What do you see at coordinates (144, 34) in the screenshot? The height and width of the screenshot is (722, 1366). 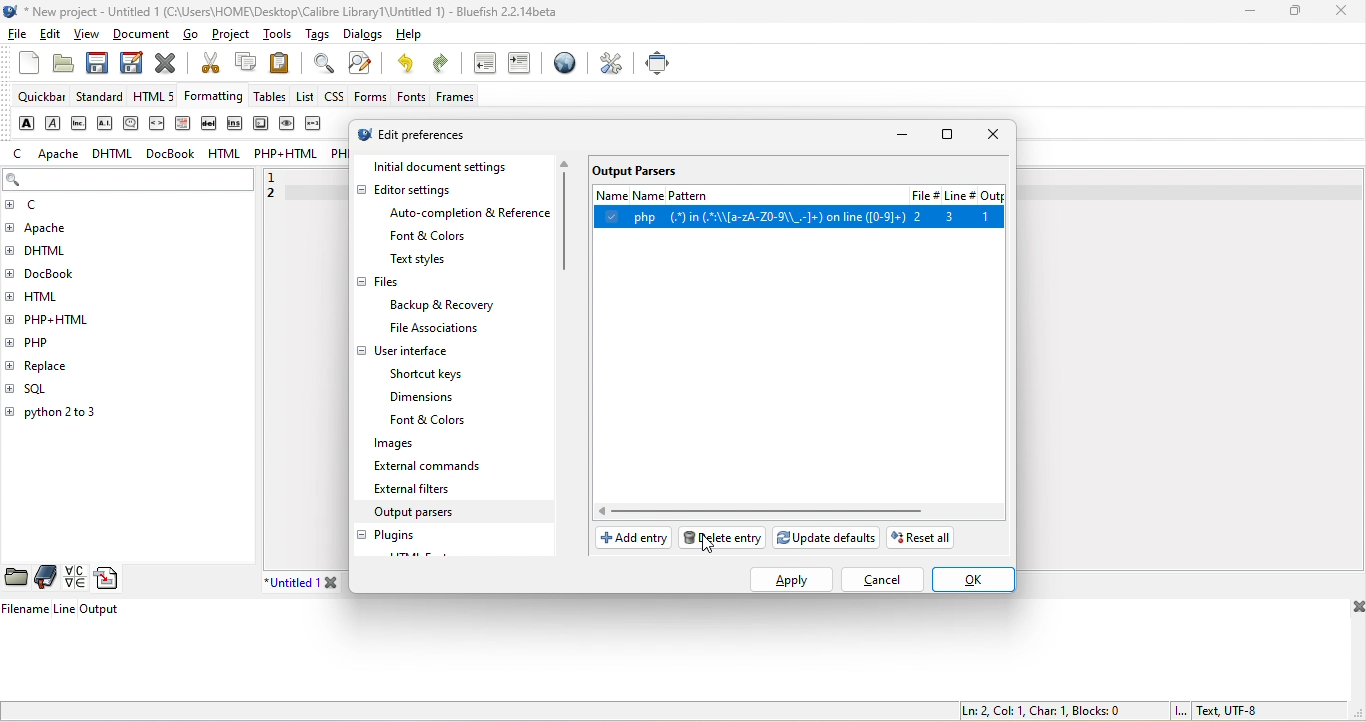 I see `document` at bounding box center [144, 34].